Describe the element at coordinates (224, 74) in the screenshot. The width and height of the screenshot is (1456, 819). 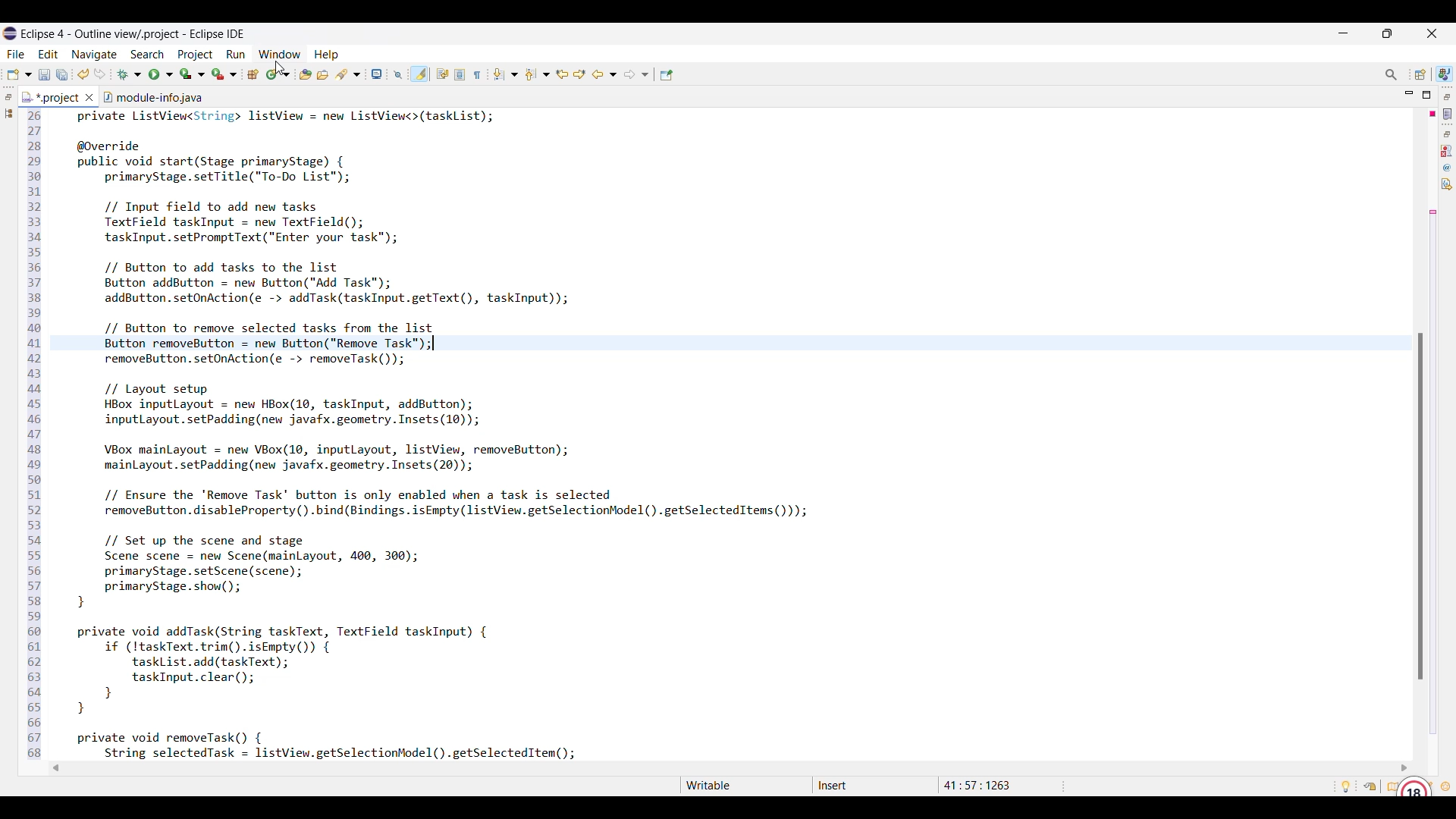
I see `Run last tool options` at that location.